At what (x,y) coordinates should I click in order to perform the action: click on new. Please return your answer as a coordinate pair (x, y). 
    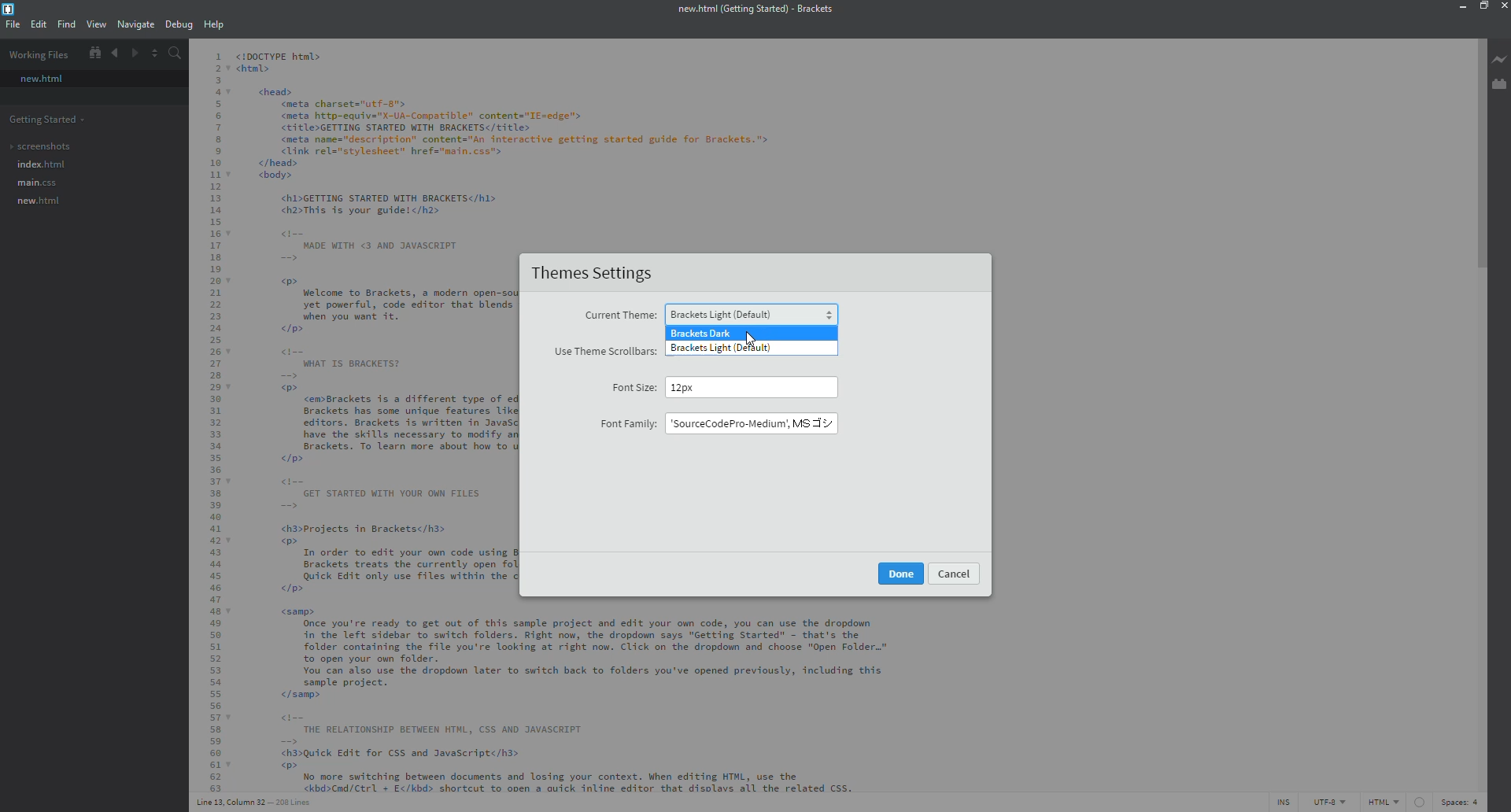
    Looking at the image, I should click on (41, 79).